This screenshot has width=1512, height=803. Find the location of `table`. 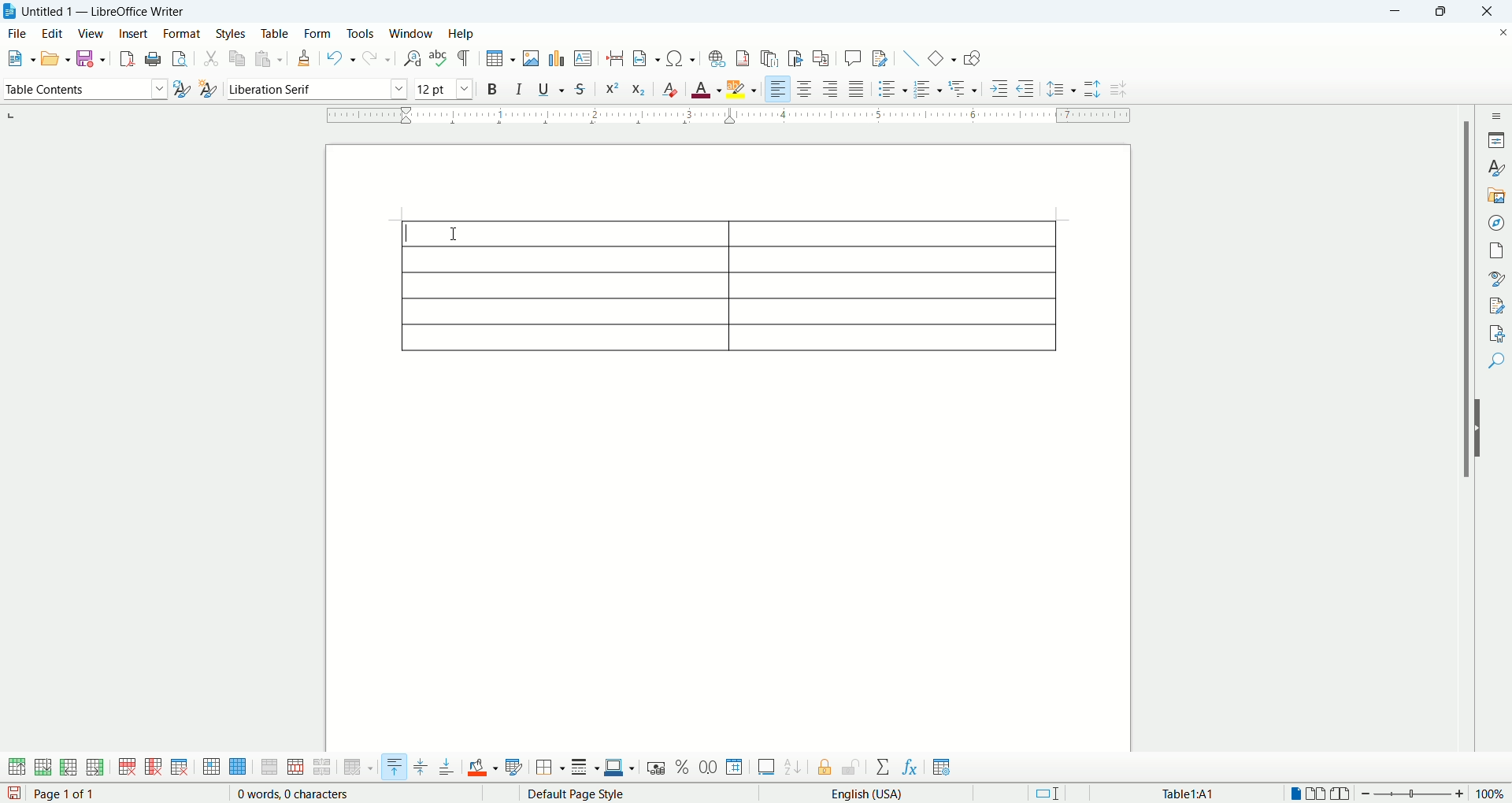

table is located at coordinates (275, 34).